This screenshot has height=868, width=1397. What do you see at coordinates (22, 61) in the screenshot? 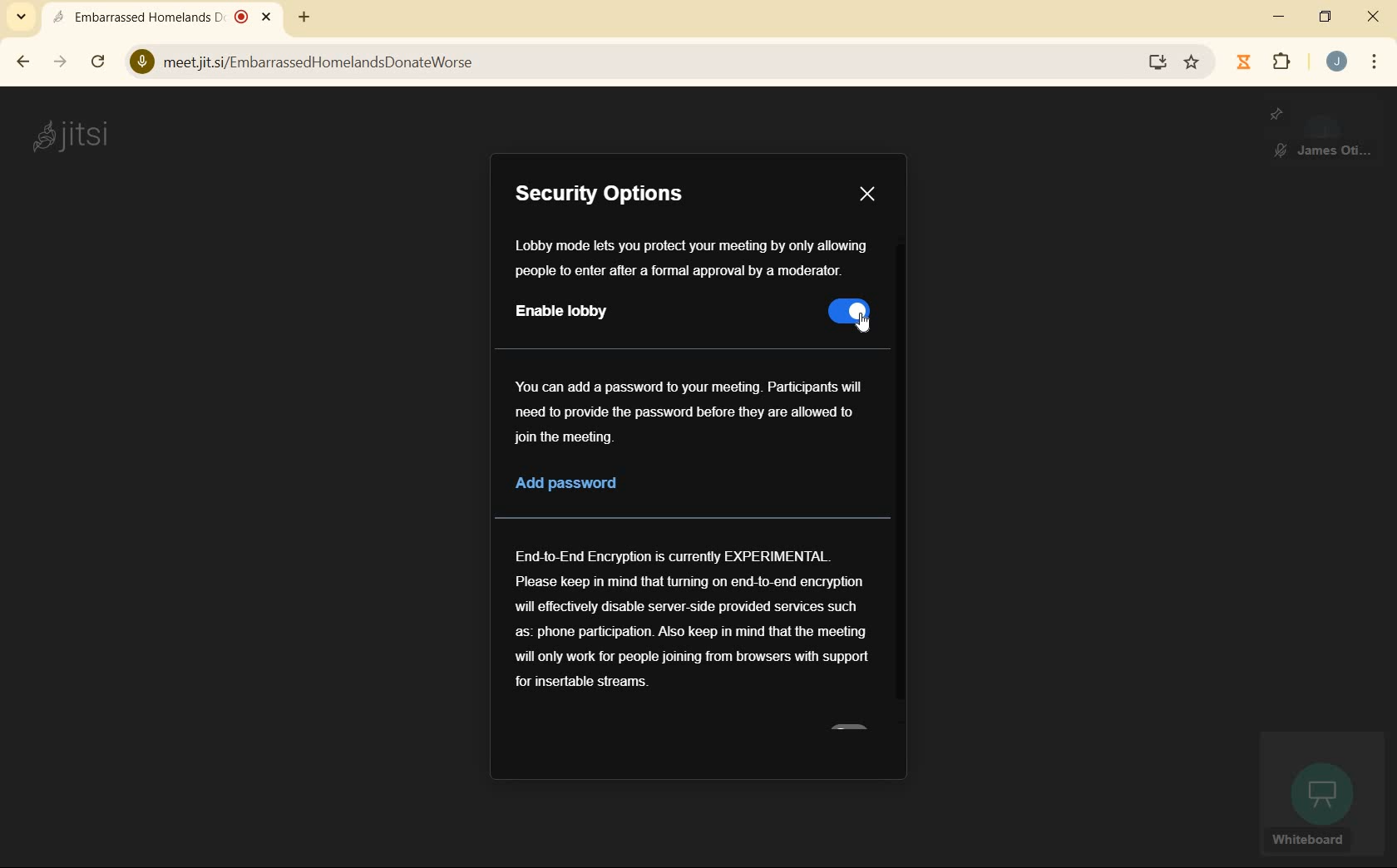
I see `back` at bounding box center [22, 61].